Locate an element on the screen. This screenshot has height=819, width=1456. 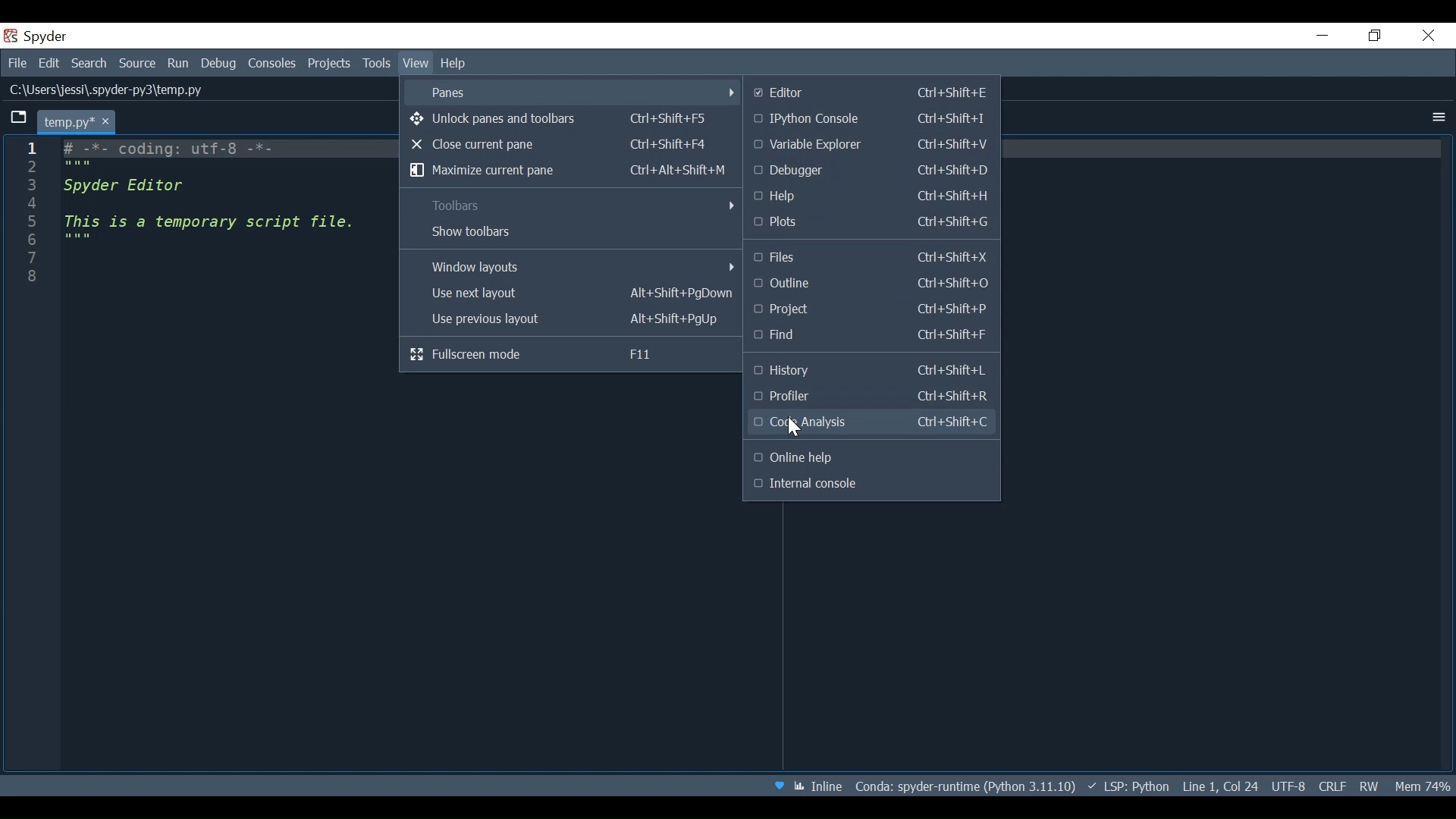
Restore is located at coordinates (1375, 36).